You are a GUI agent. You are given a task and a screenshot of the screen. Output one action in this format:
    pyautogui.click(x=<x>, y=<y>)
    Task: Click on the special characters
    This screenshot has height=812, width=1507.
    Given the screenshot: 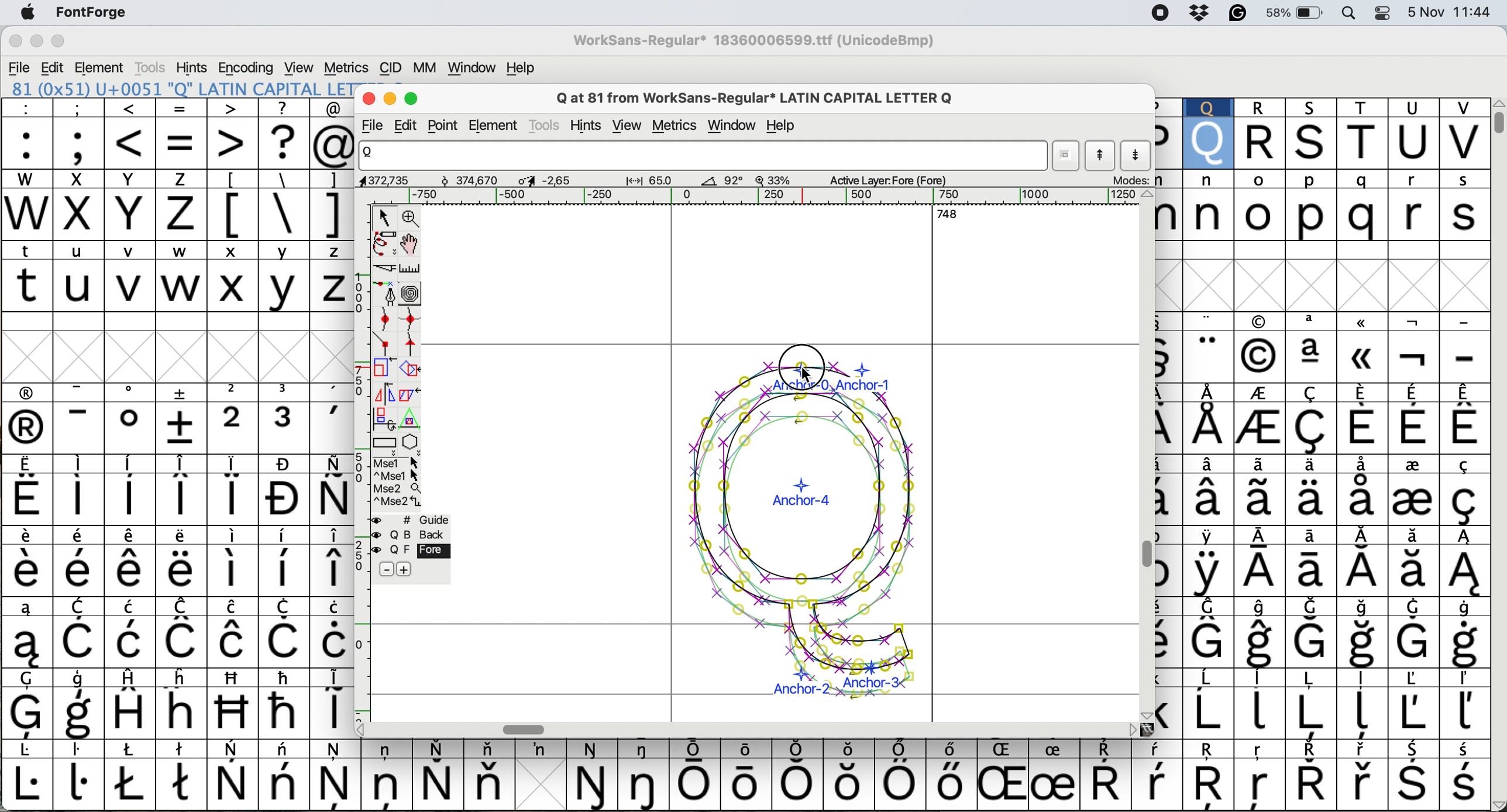 What is the action you would take?
    pyautogui.click(x=177, y=147)
    